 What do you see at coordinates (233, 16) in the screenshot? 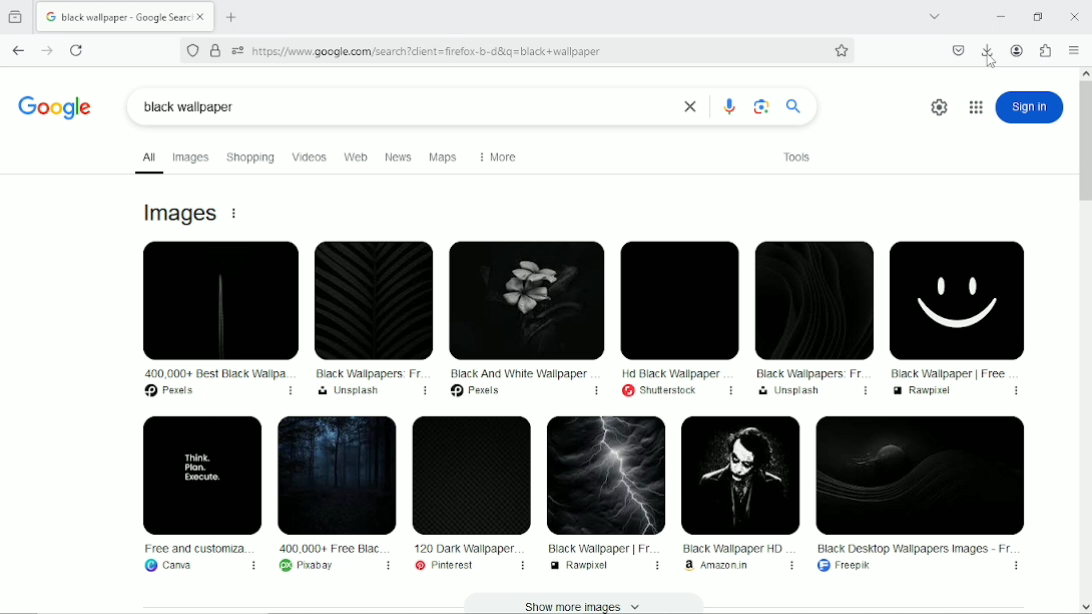
I see `New tab` at bounding box center [233, 16].